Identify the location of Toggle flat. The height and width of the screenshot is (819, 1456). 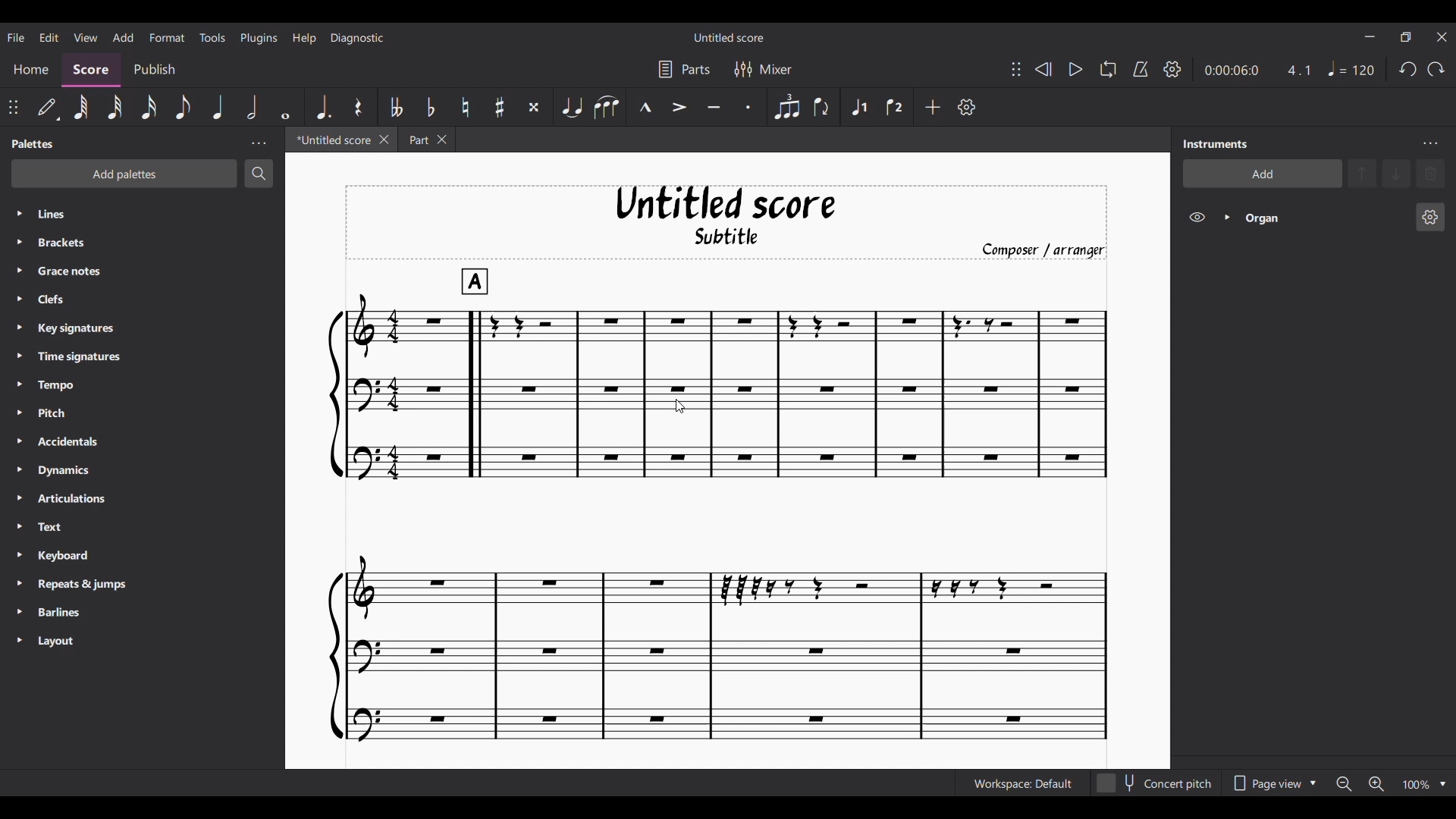
(430, 107).